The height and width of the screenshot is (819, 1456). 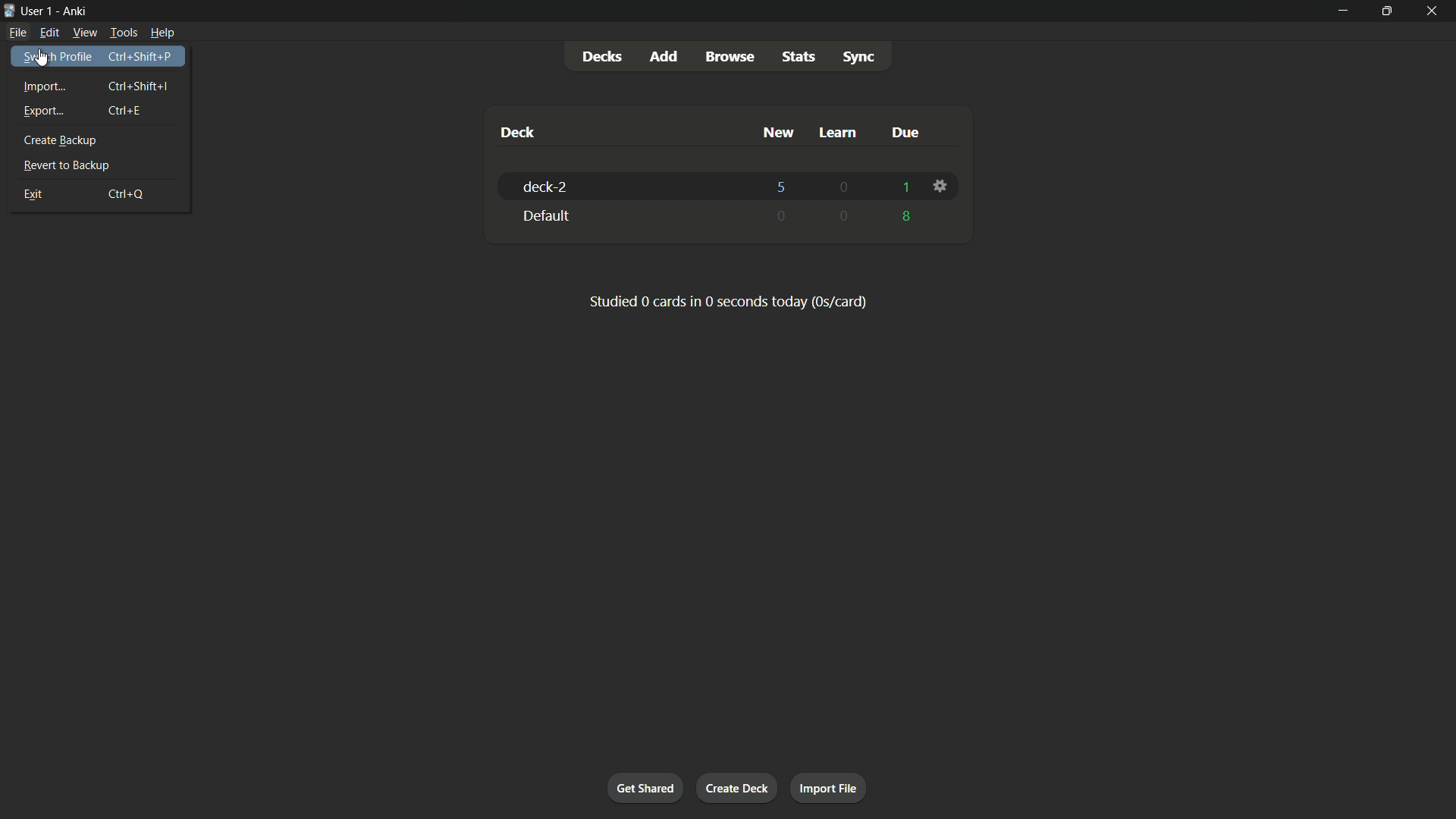 I want to click on Exit, so click(x=100, y=193).